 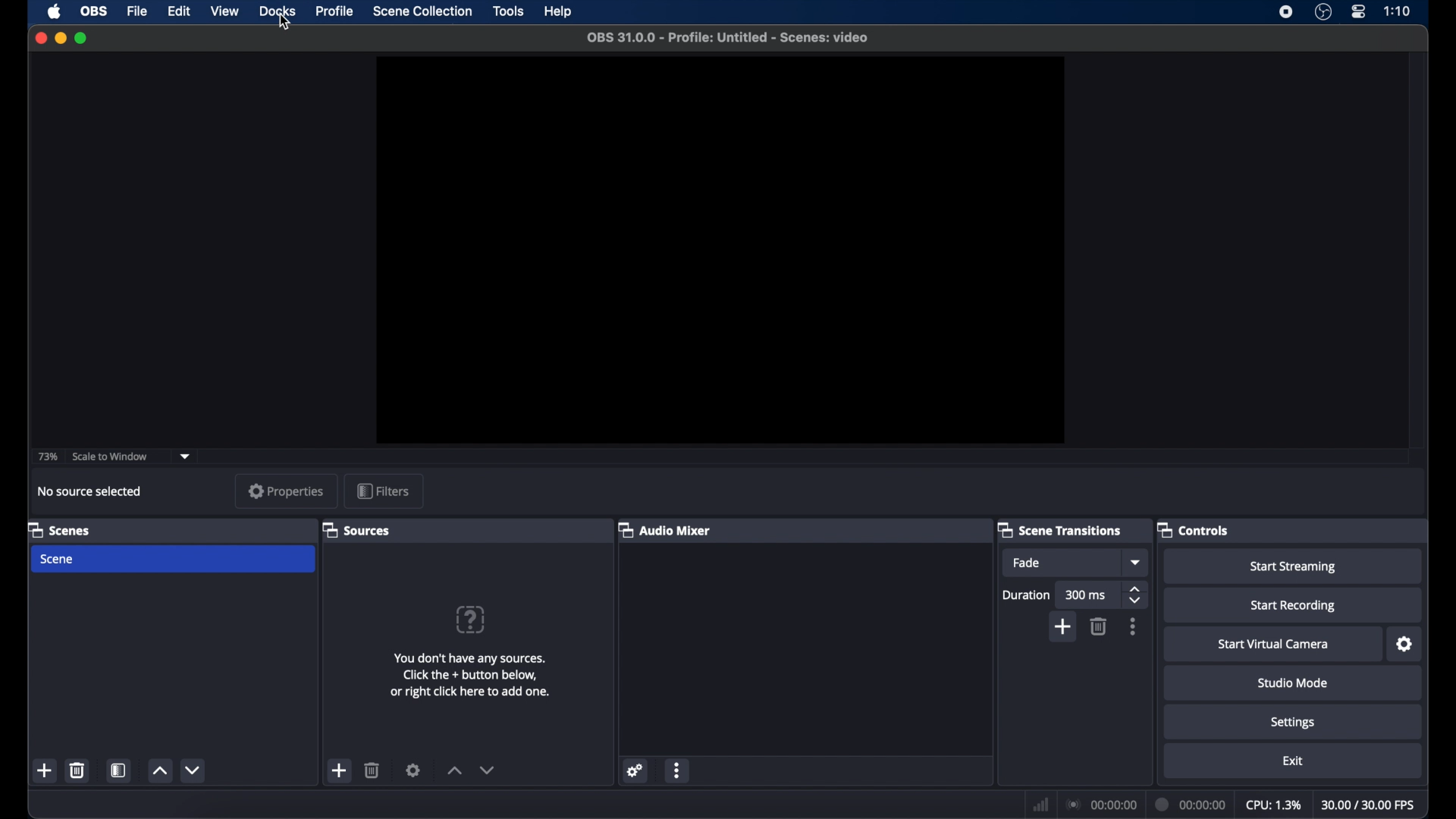 I want to click on start virtual camera, so click(x=1273, y=645).